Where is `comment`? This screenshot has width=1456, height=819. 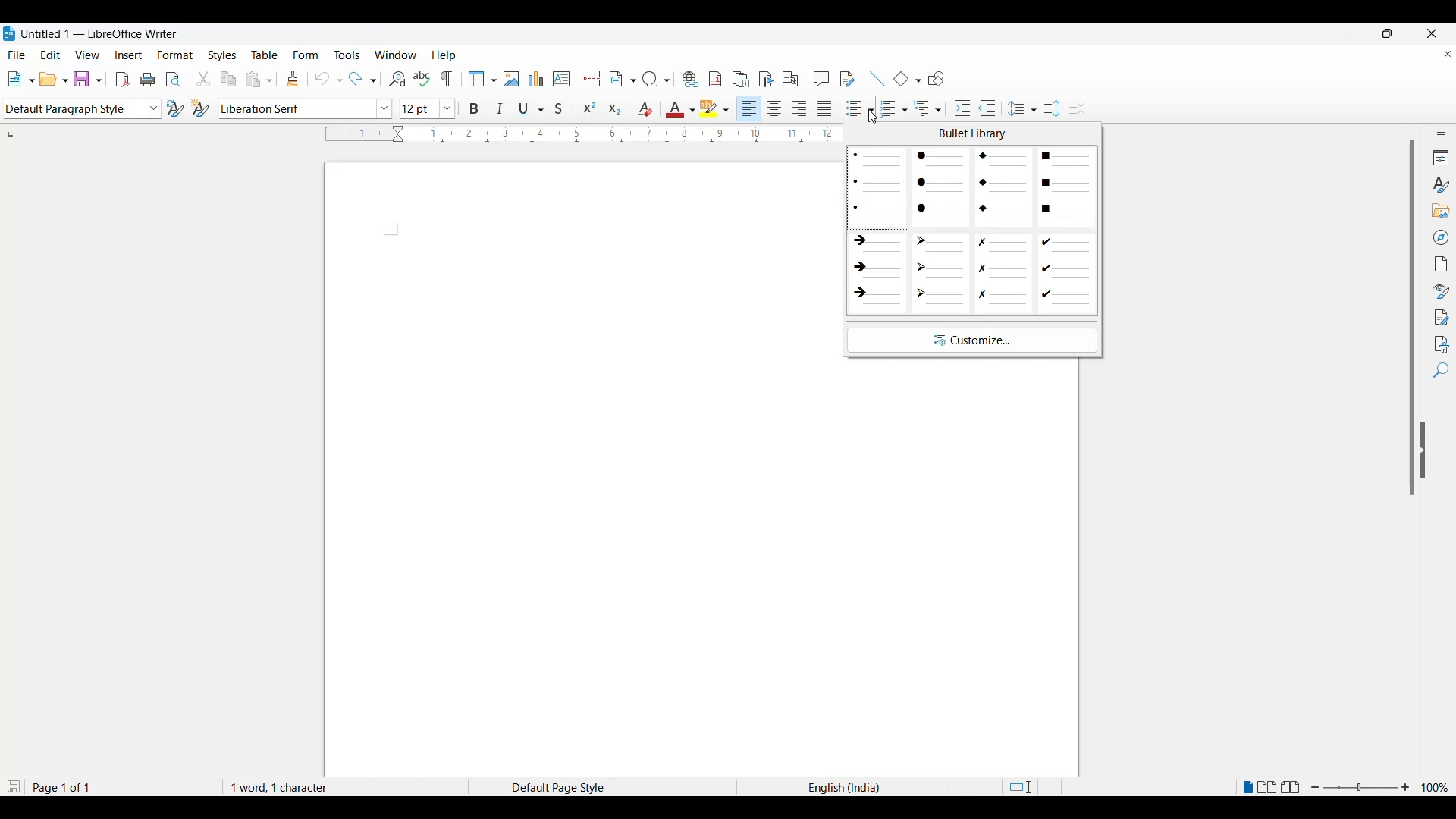
comment is located at coordinates (822, 78).